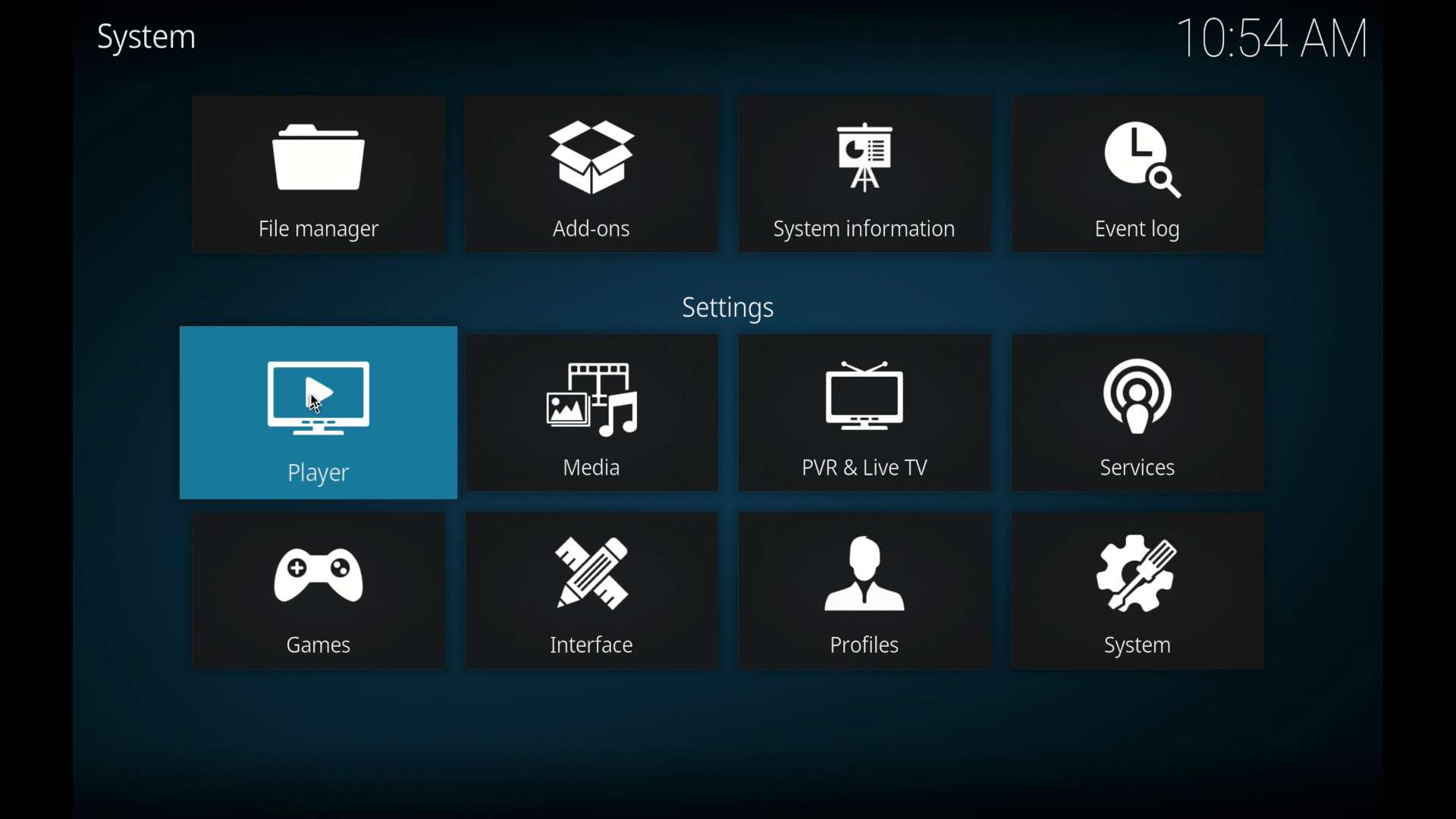  Describe the element at coordinates (1138, 174) in the screenshot. I see `event log` at that location.